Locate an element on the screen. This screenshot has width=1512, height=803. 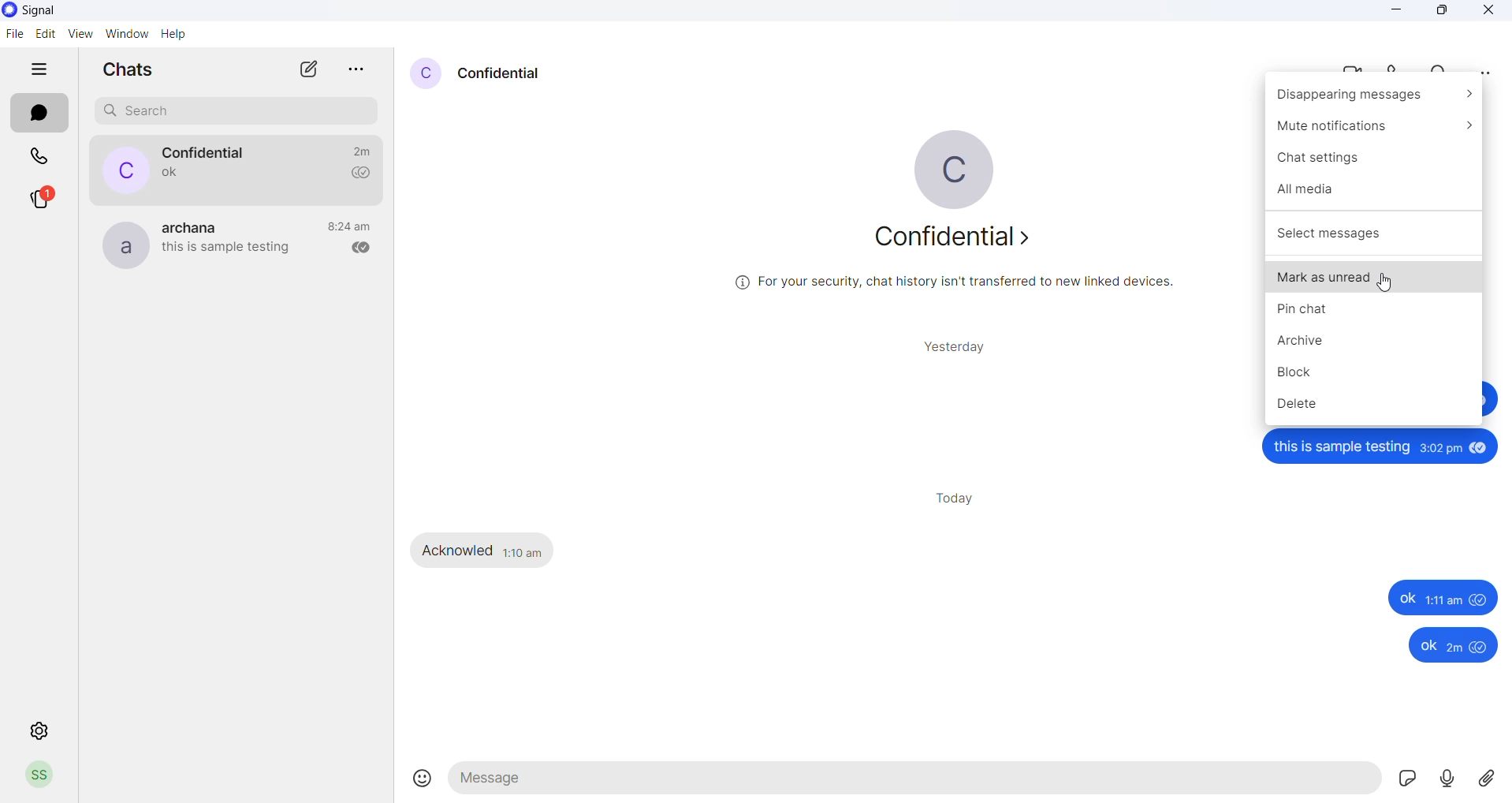
last message time is located at coordinates (359, 151).